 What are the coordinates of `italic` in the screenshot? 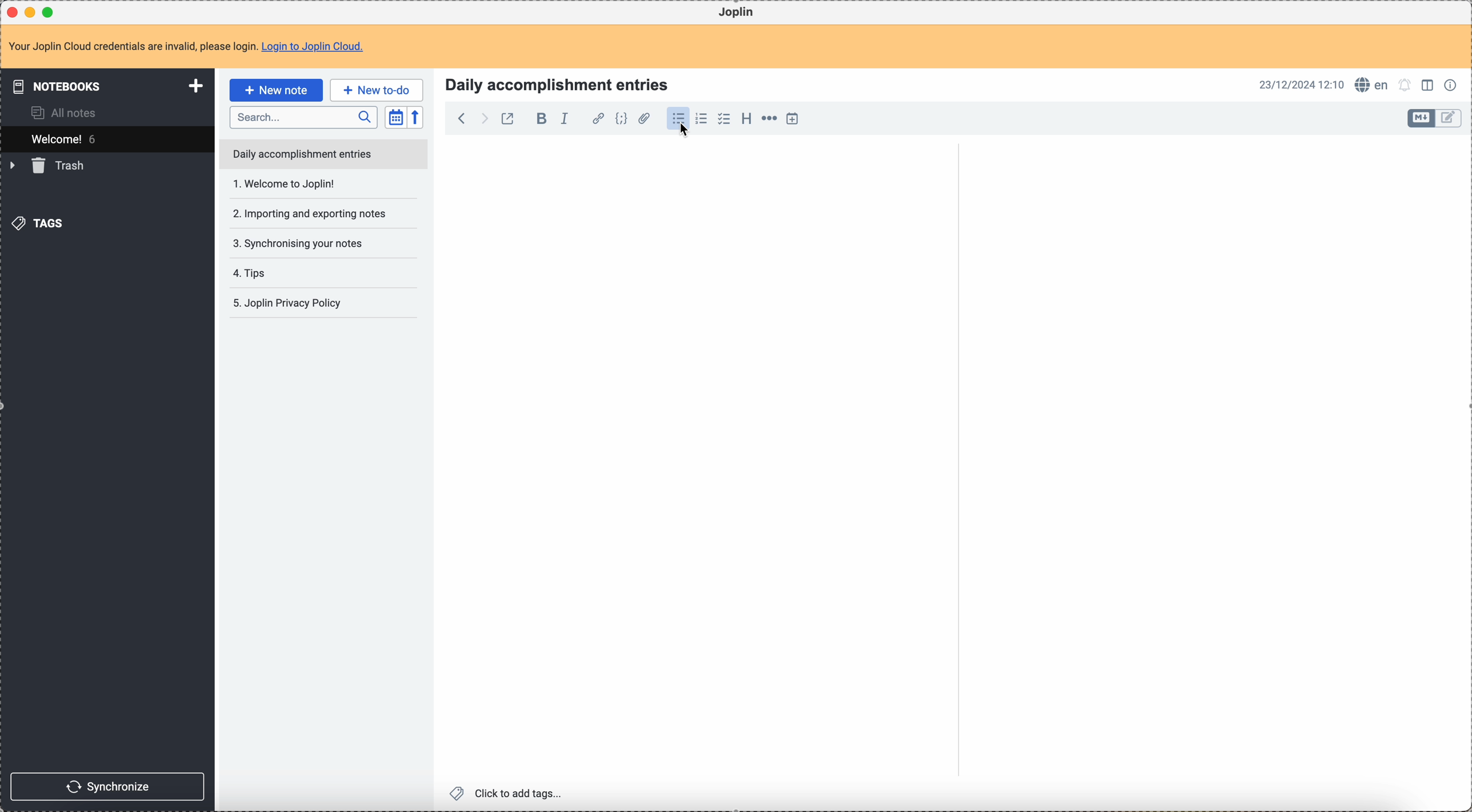 It's located at (570, 119).